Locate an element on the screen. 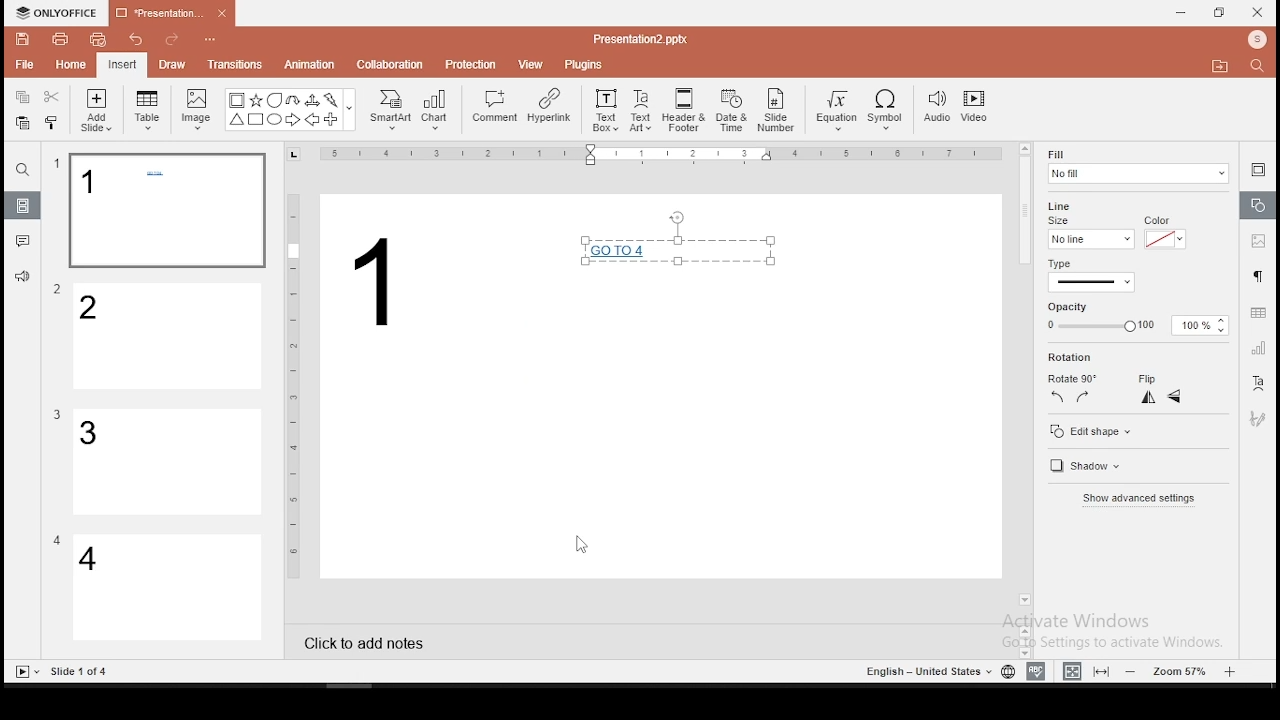 Image resolution: width=1280 pixels, height=720 pixels. zoom level is located at coordinates (1183, 670).